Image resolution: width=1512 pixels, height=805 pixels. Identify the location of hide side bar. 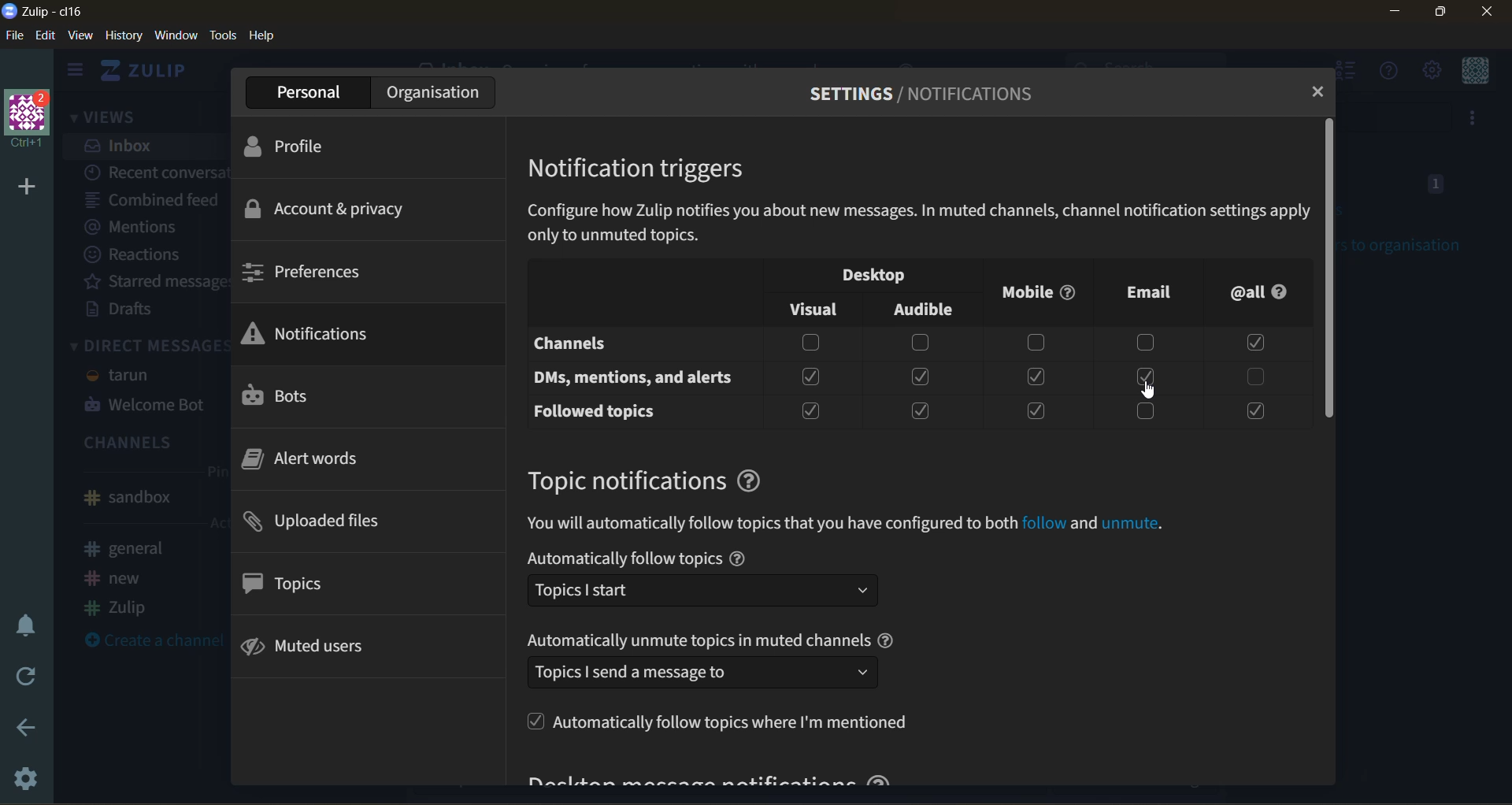
(75, 72).